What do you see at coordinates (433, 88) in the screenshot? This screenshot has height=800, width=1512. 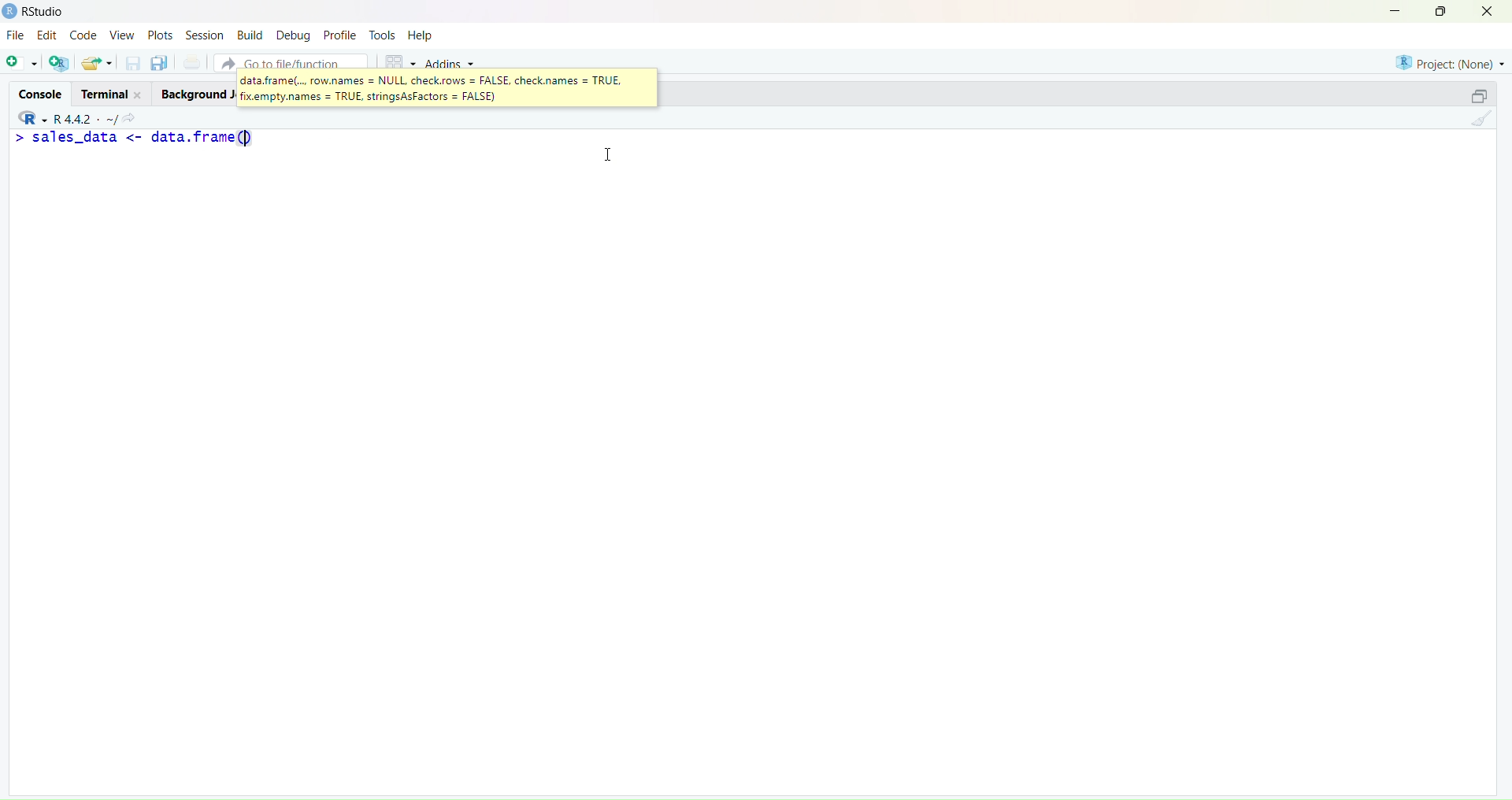 I see `data.frame(... row.names = NULL check.rows = FALSE, check.names = TRUE.colic = THE shkinaAatons. = FALSE` at bounding box center [433, 88].